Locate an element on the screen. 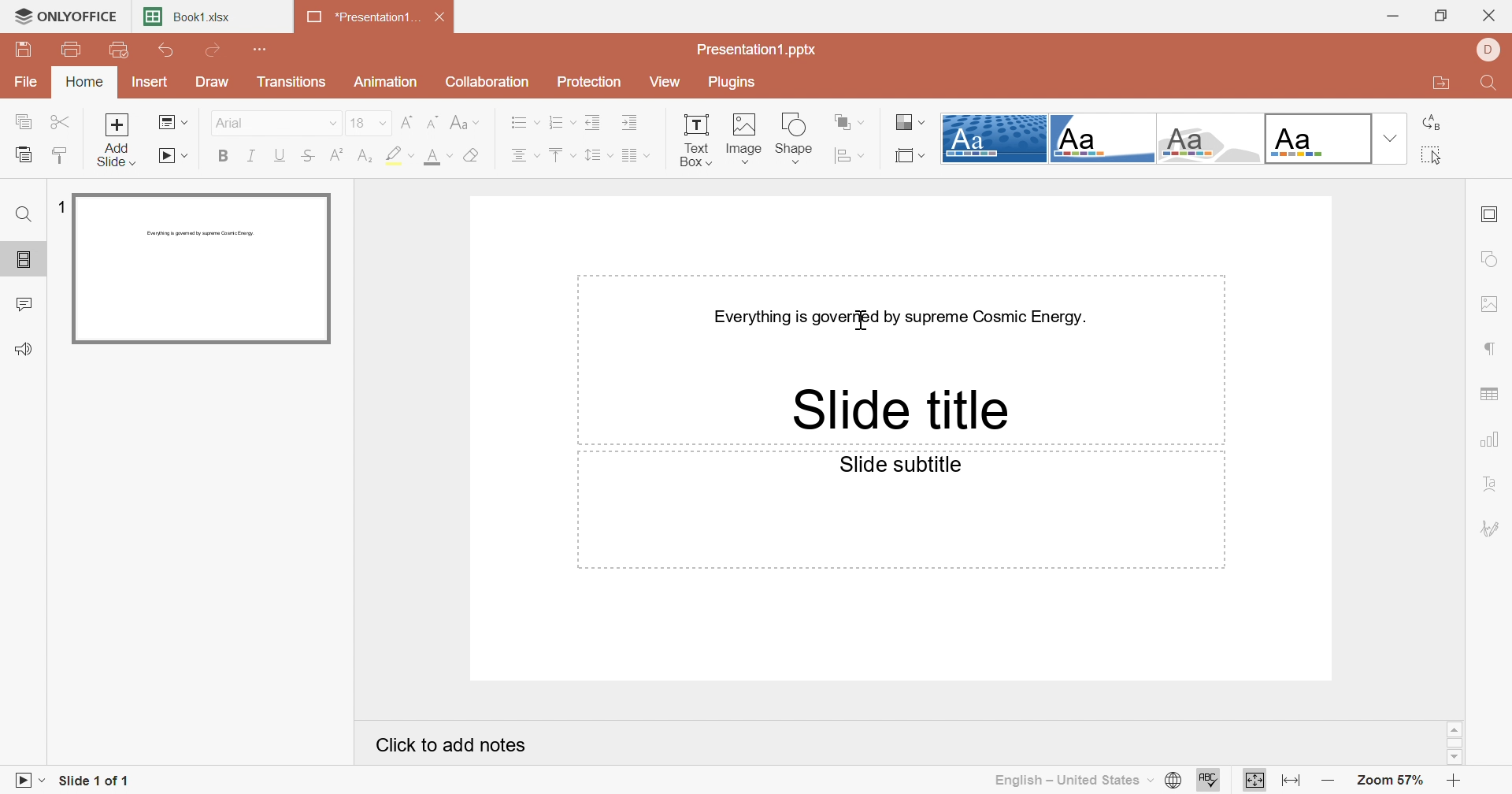 The image size is (1512, 794). Drop Down is located at coordinates (1392, 140).